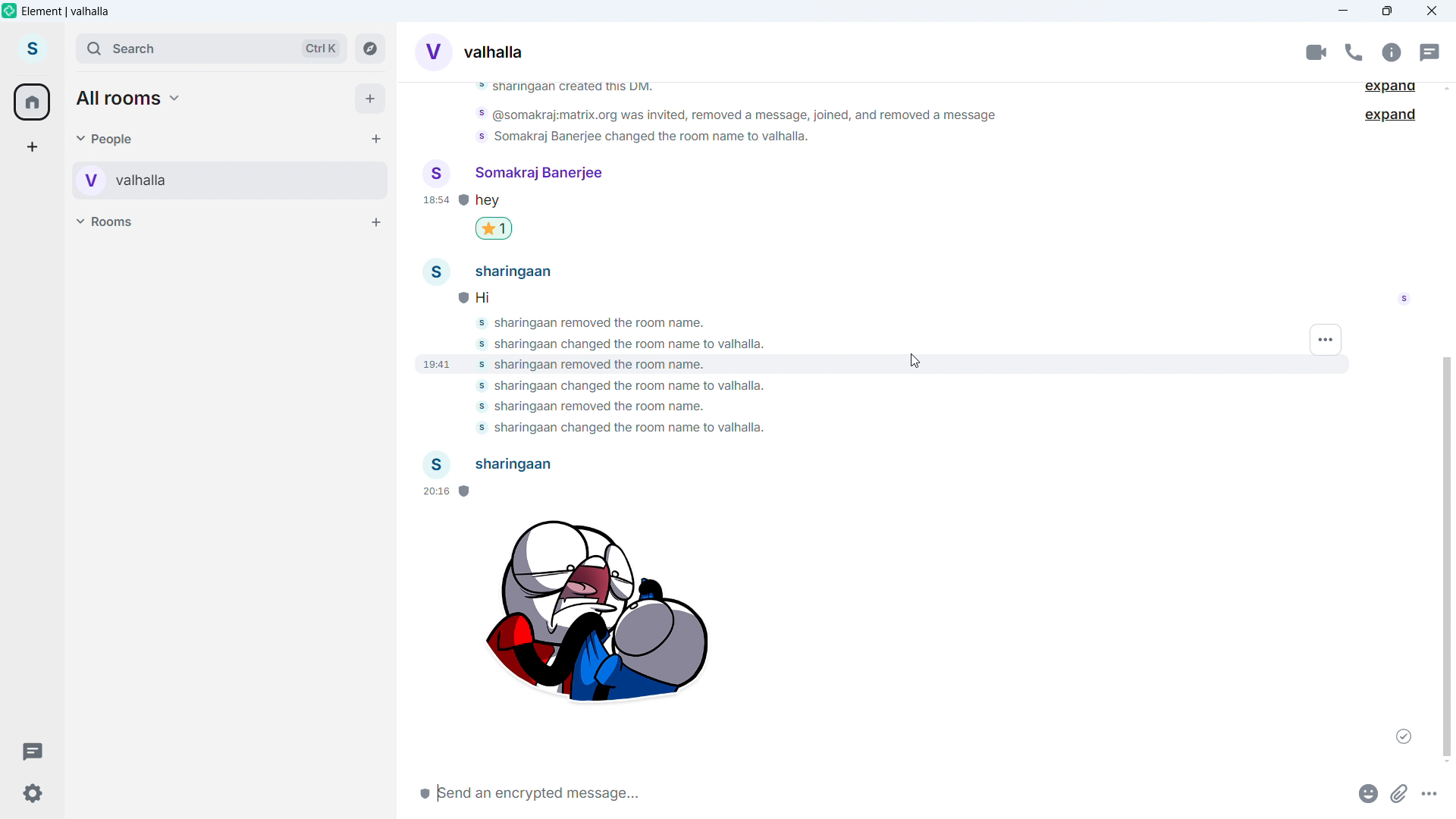  Describe the element at coordinates (1327, 340) in the screenshot. I see `More options` at that location.